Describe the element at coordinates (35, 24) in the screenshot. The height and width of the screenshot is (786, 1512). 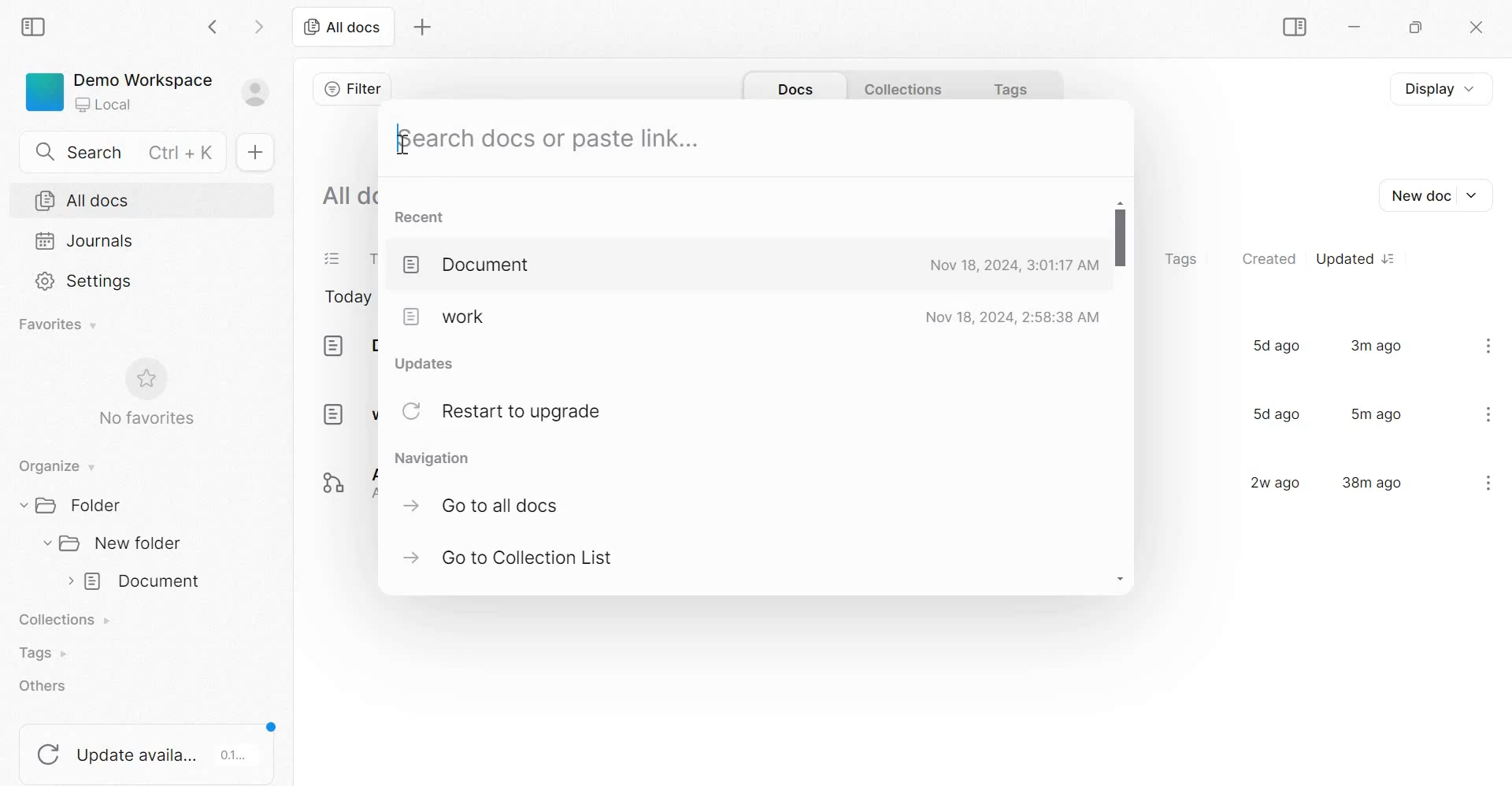
I see `sidebar toggle` at that location.